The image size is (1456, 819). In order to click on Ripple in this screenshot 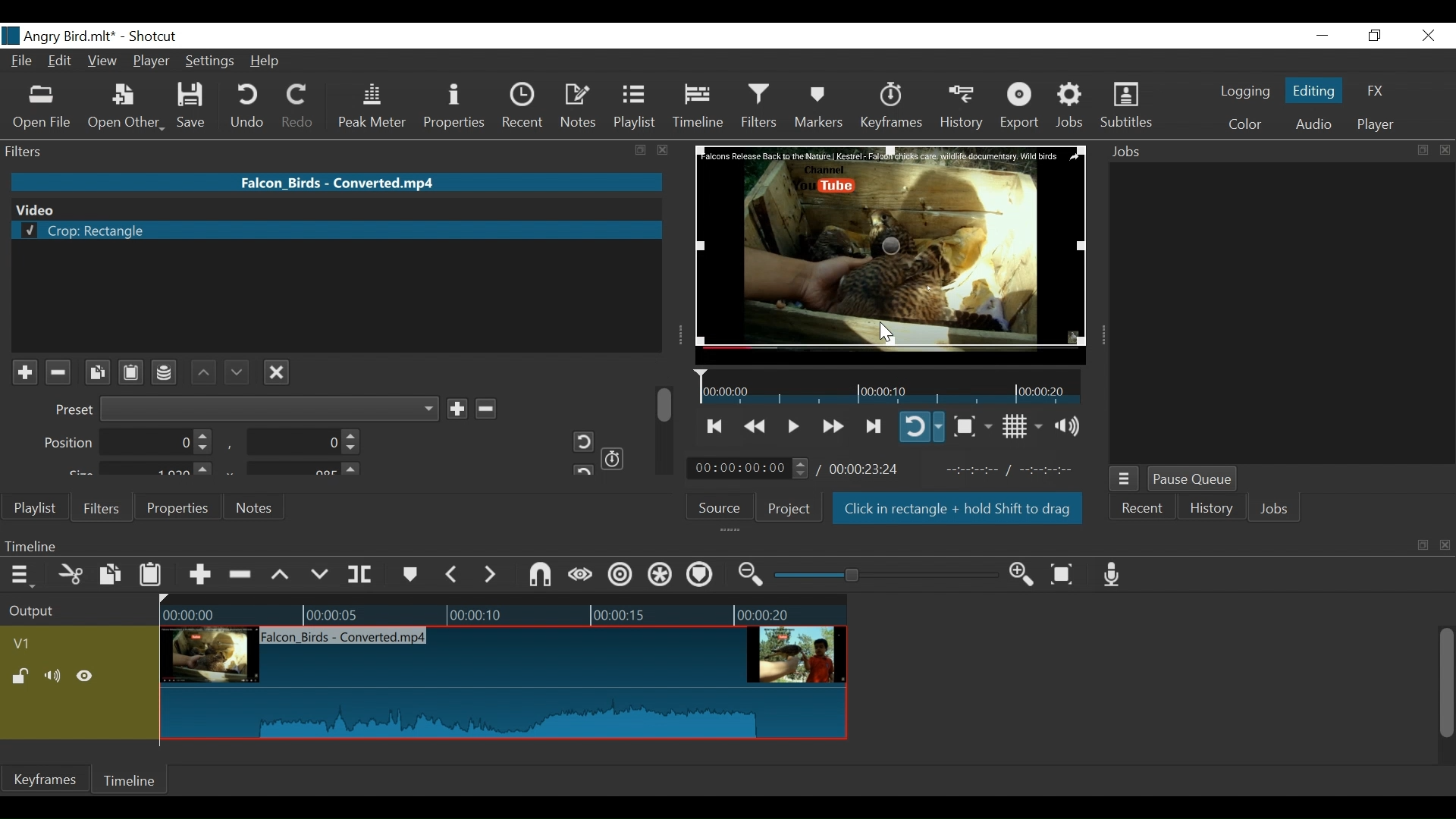, I will do `click(623, 577)`.